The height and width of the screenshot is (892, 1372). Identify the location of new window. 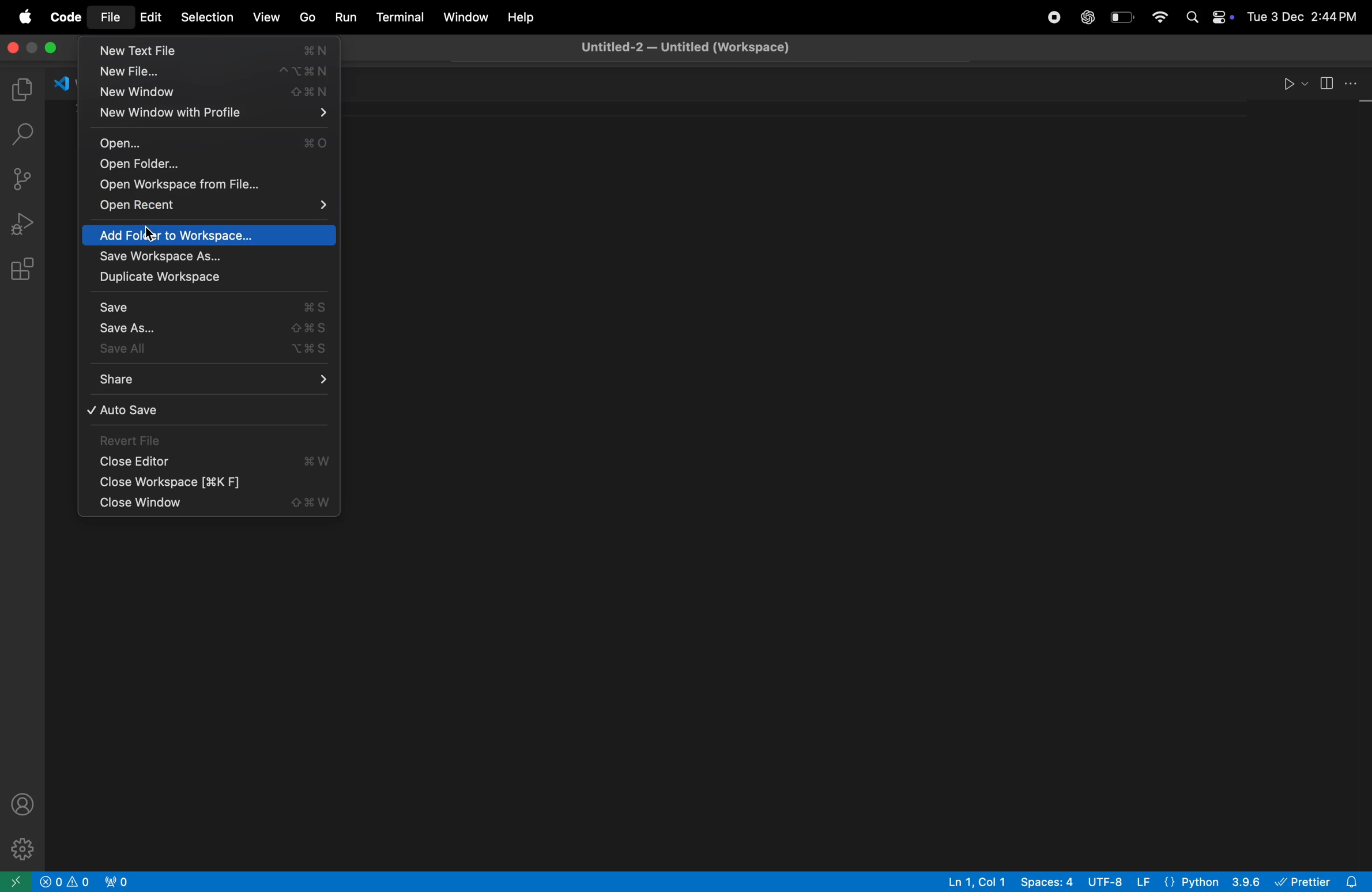
(210, 92).